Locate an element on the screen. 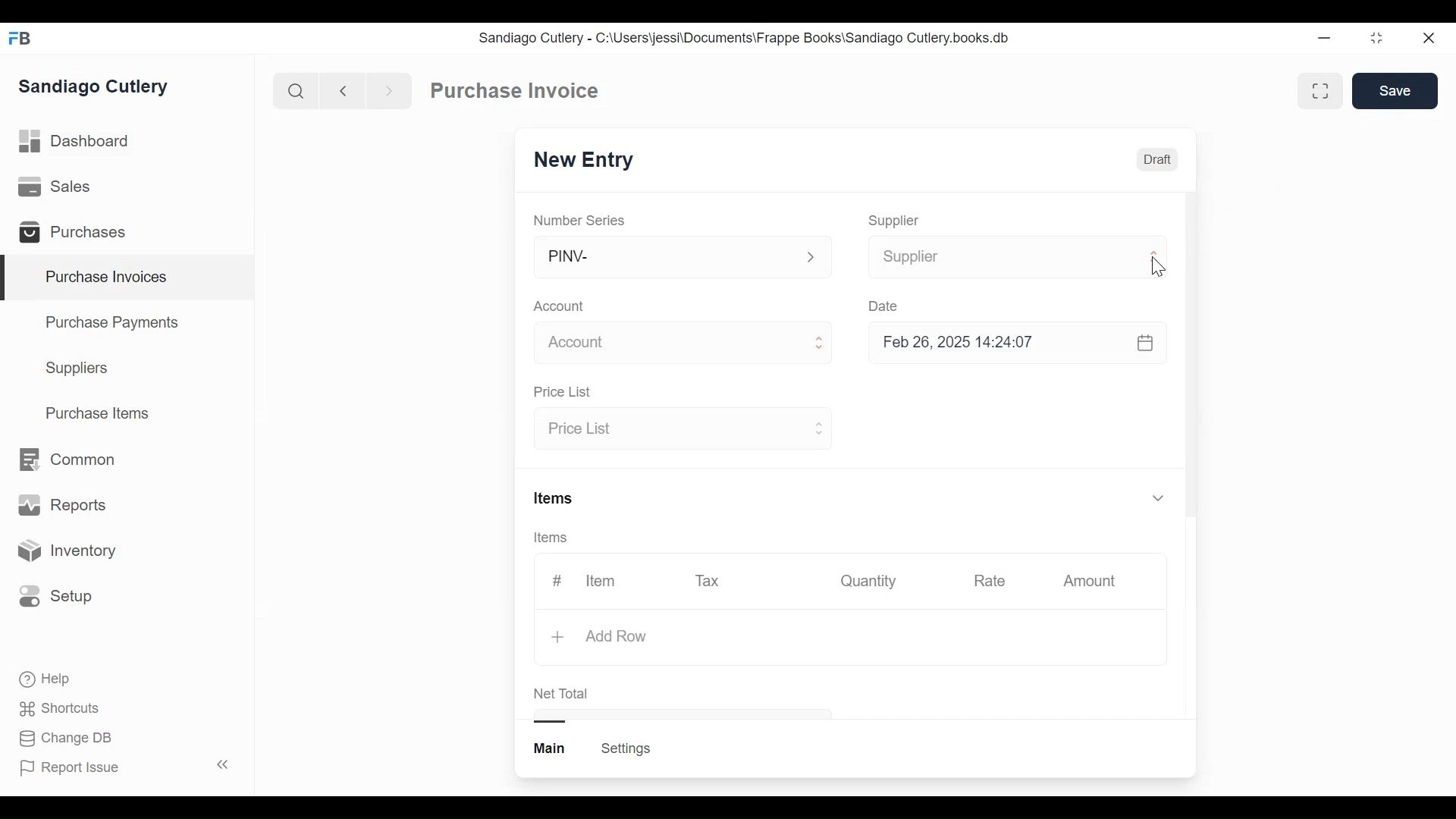 This screenshot has width=1456, height=819. Account is located at coordinates (562, 308).